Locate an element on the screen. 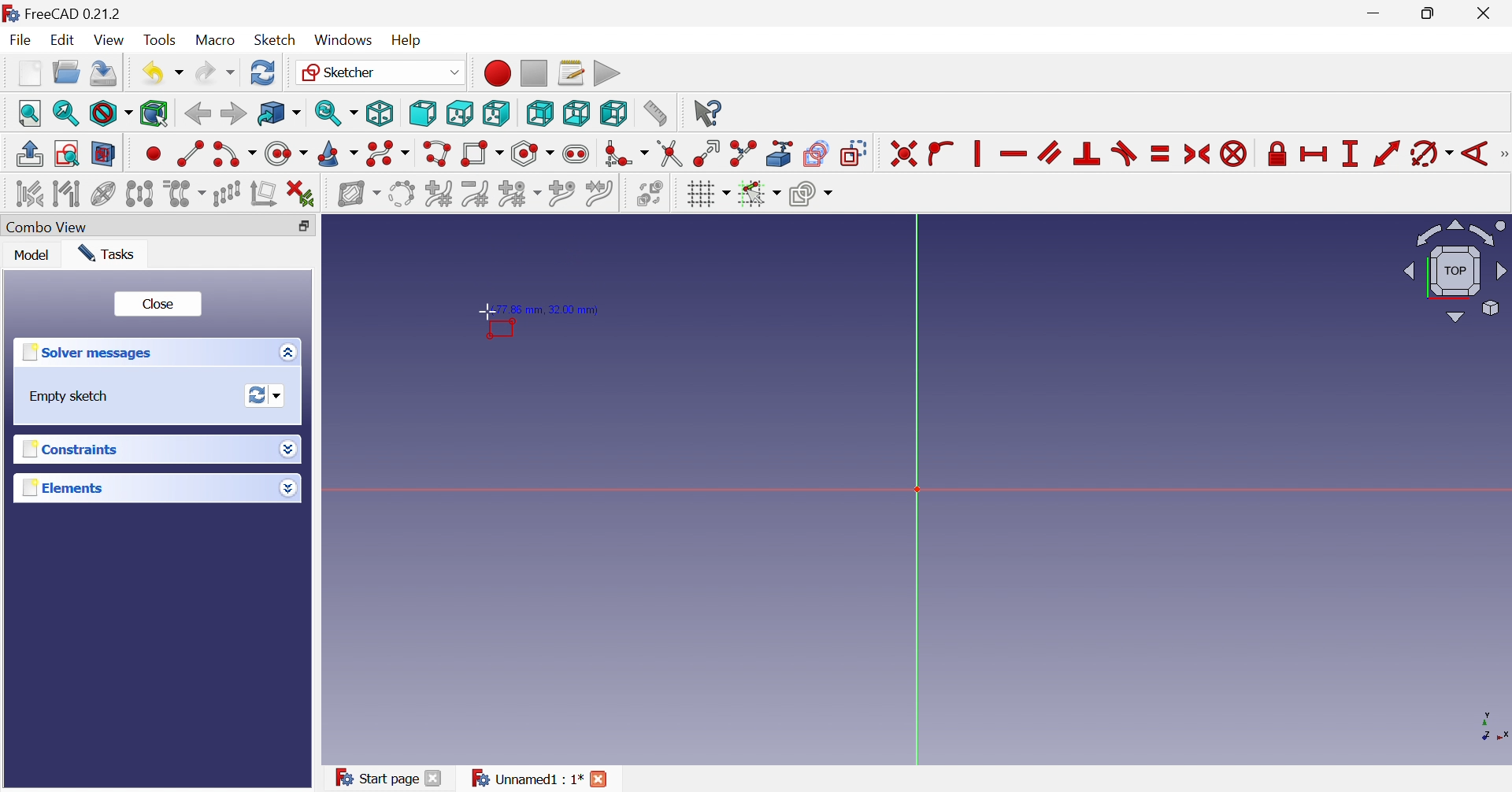 The height and width of the screenshot is (792, 1512). Create arc is located at coordinates (234, 154).